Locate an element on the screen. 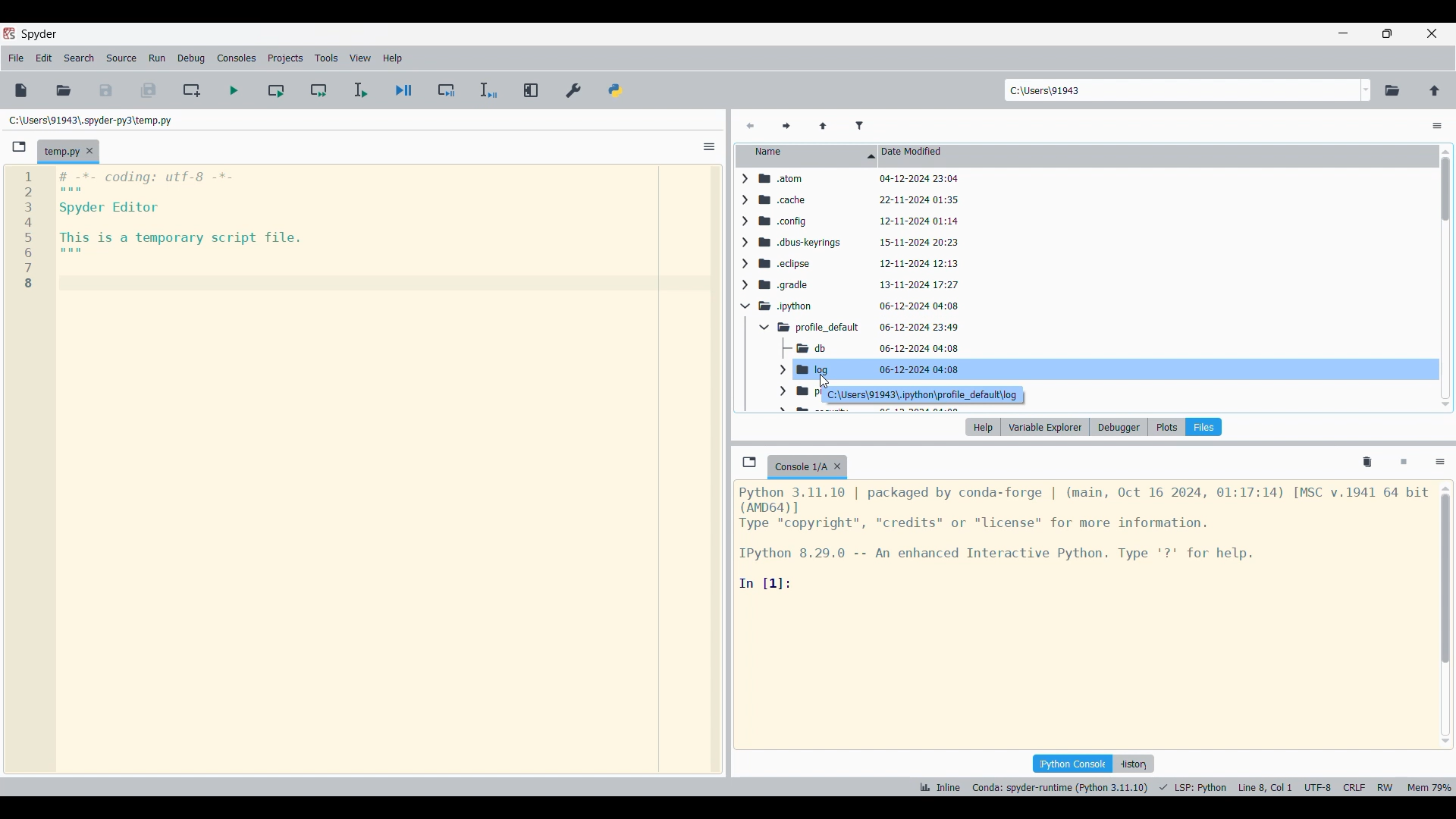  New file is located at coordinates (21, 90).